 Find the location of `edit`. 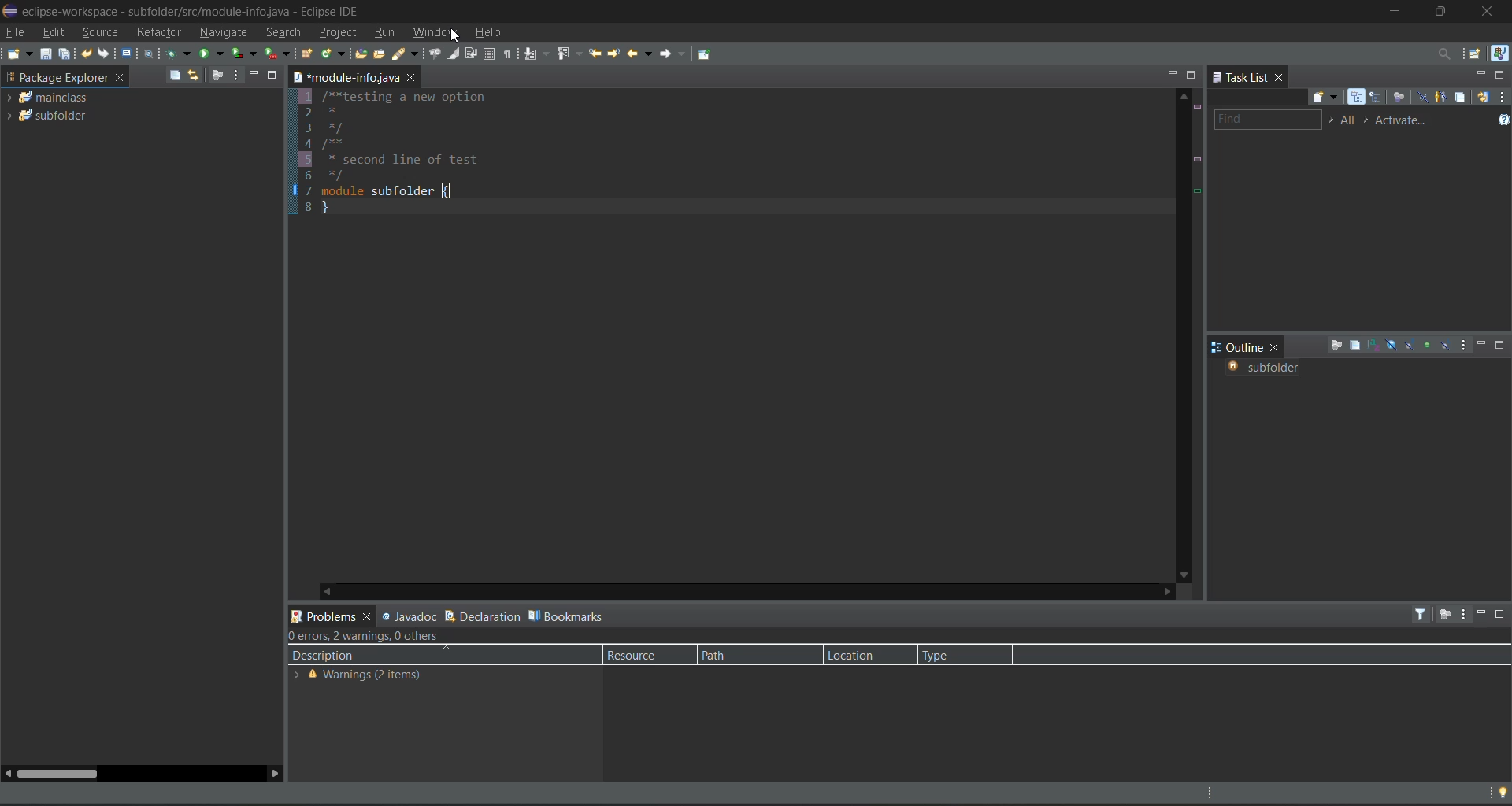

edit is located at coordinates (57, 33).